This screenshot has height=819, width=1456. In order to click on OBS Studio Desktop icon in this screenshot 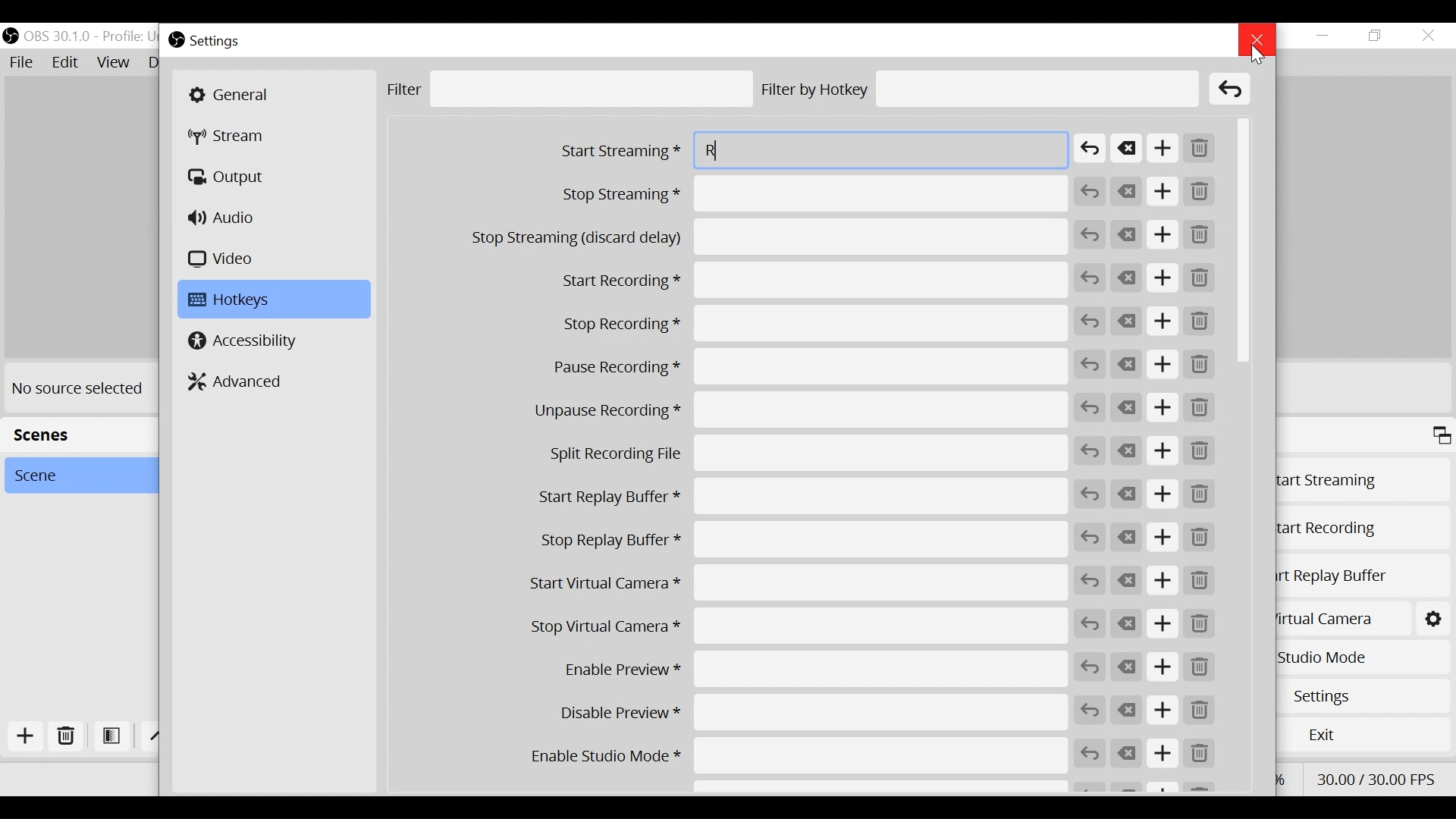, I will do `click(177, 39)`.